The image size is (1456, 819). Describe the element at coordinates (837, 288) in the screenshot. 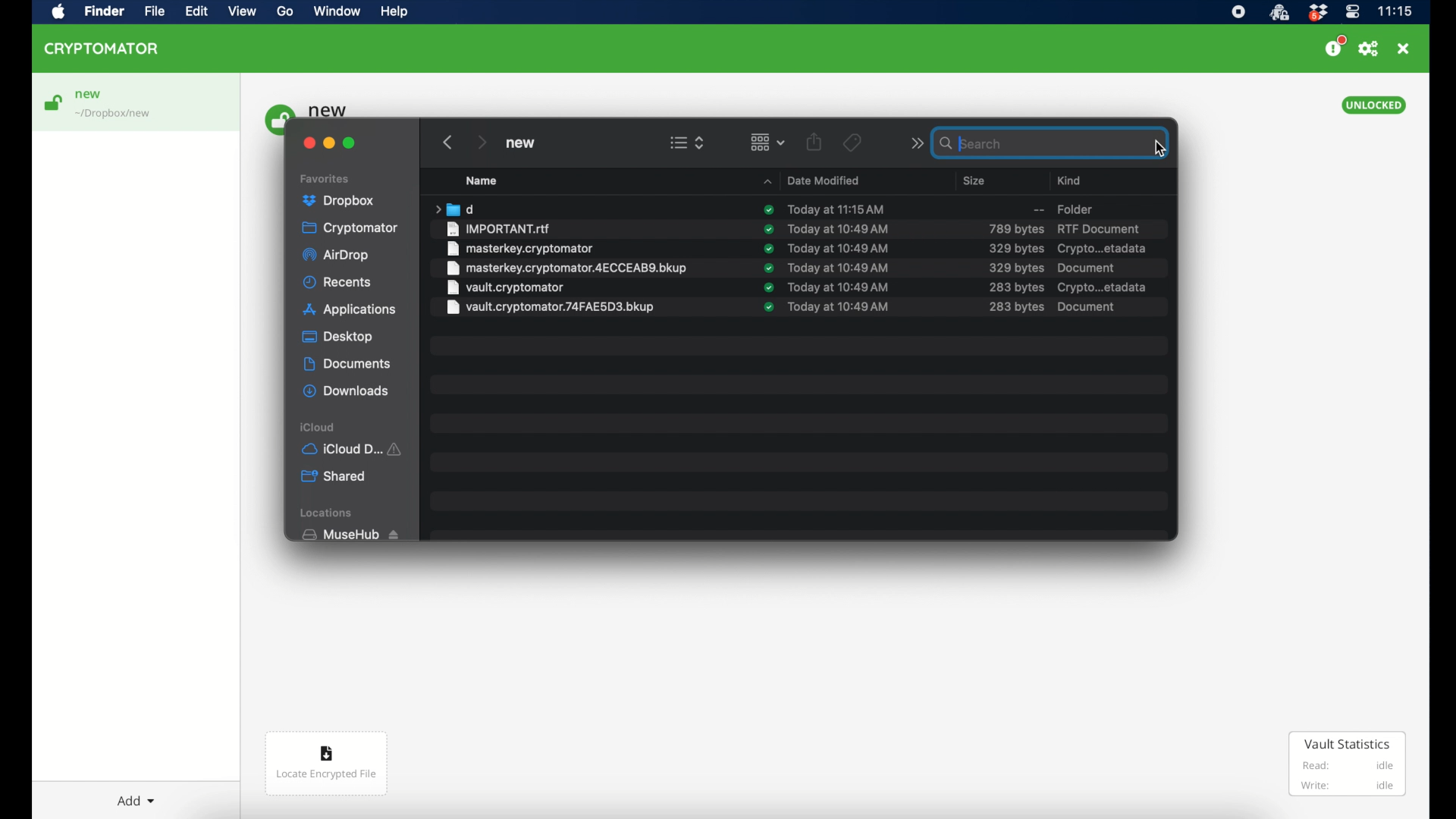

I see `date` at that location.